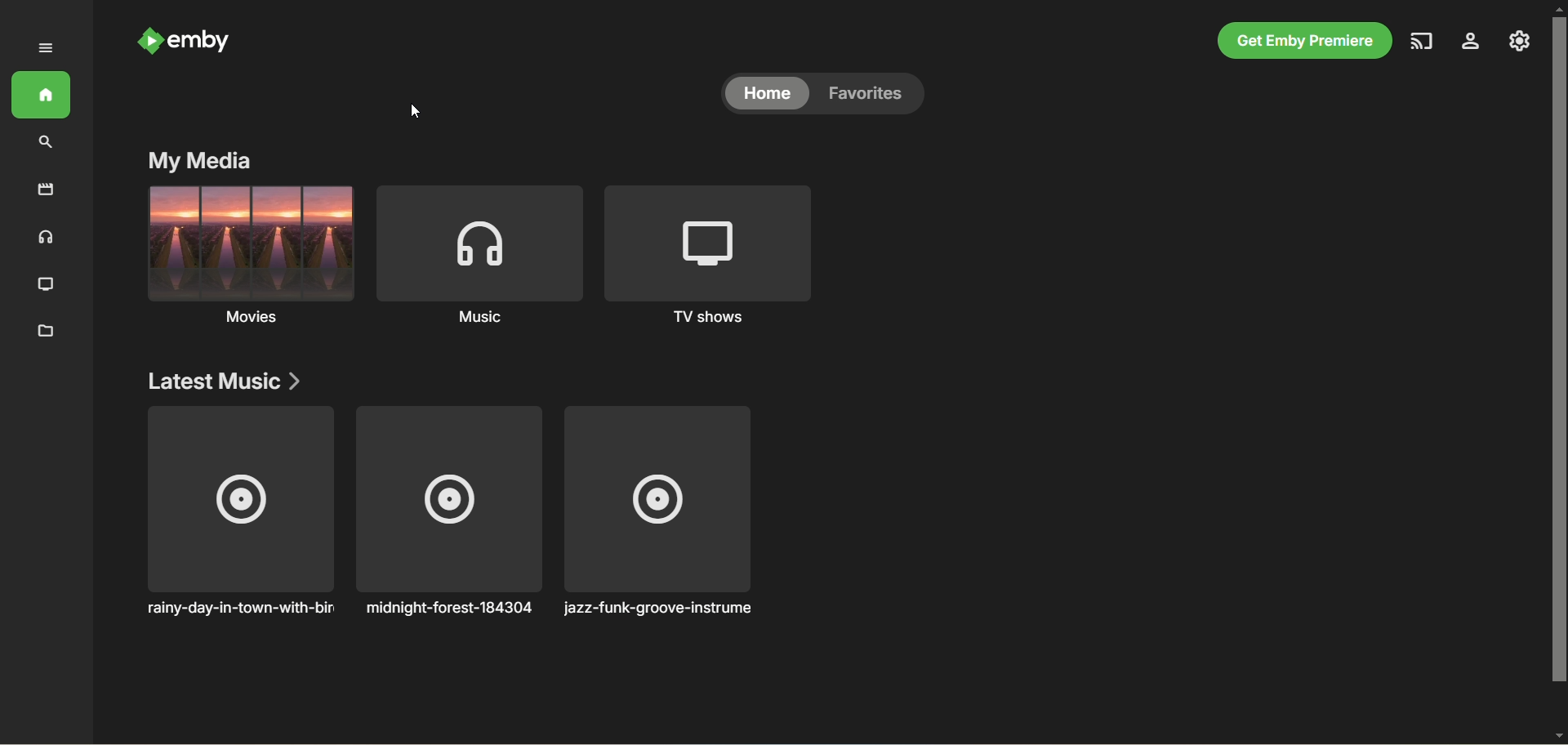 The width and height of the screenshot is (1568, 745). I want to click on vertical scroll bar, so click(1558, 370).